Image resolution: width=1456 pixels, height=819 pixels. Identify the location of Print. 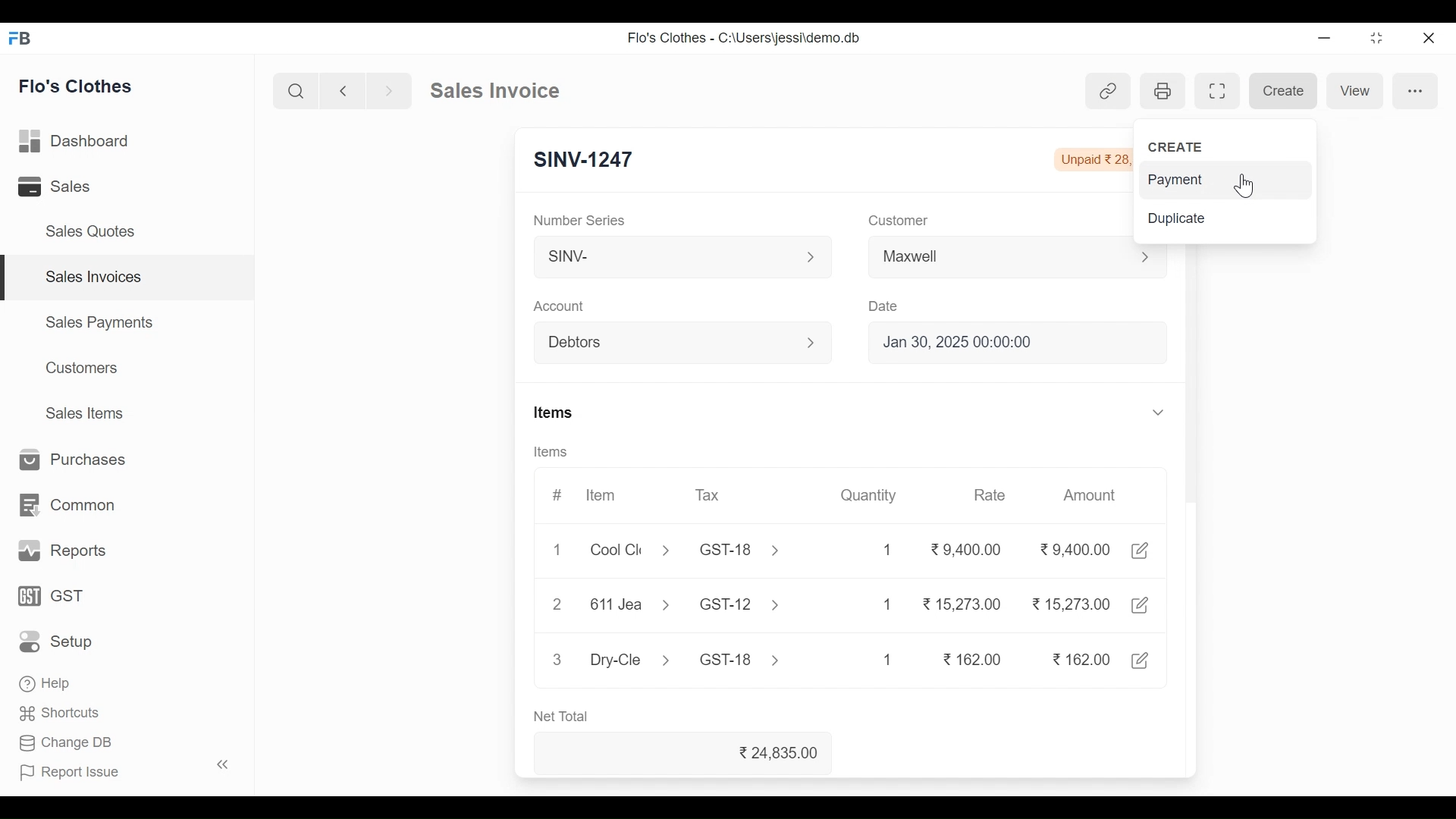
(1161, 90).